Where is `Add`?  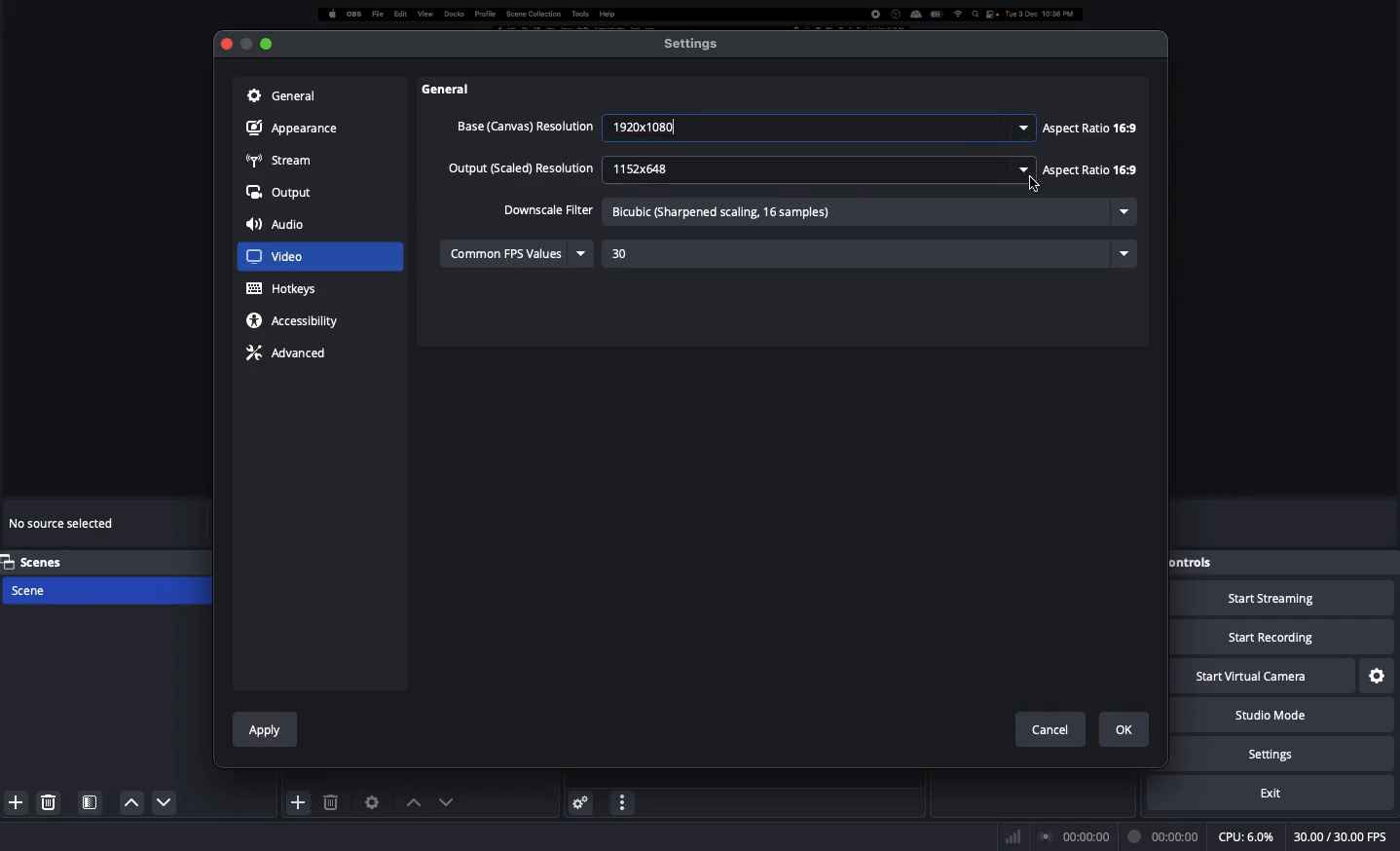
Add is located at coordinates (13, 800).